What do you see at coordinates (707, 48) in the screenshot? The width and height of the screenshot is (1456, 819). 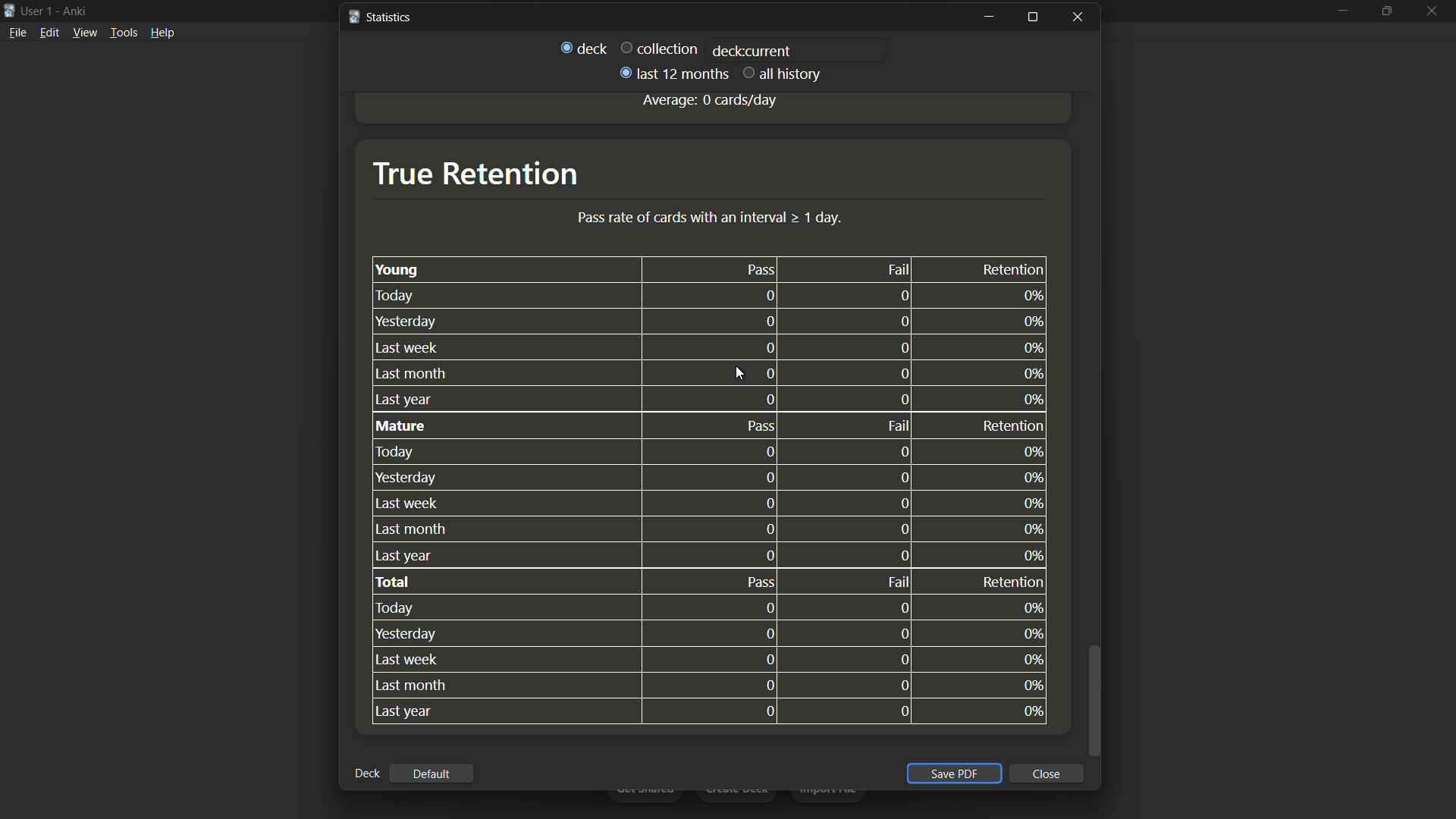 I see `collection deck current` at bounding box center [707, 48].